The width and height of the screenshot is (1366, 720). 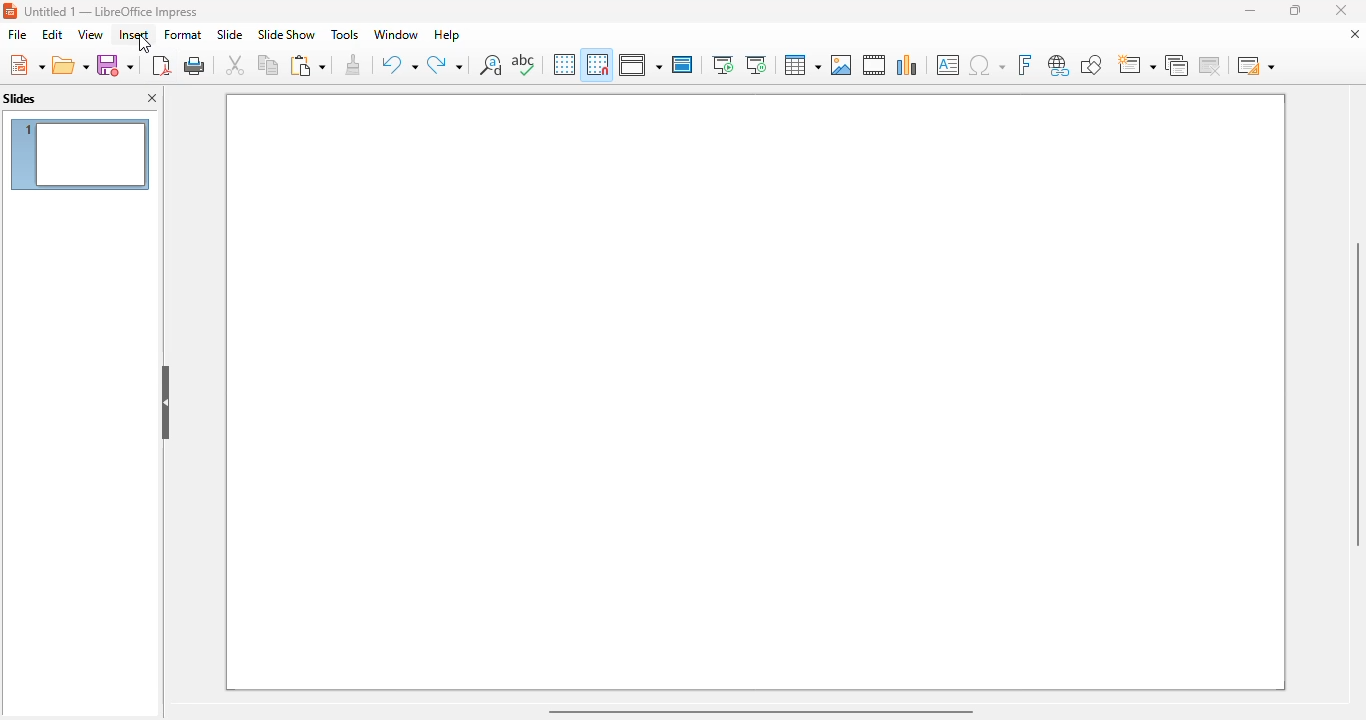 What do you see at coordinates (445, 65) in the screenshot?
I see `redo` at bounding box center [445, 65].